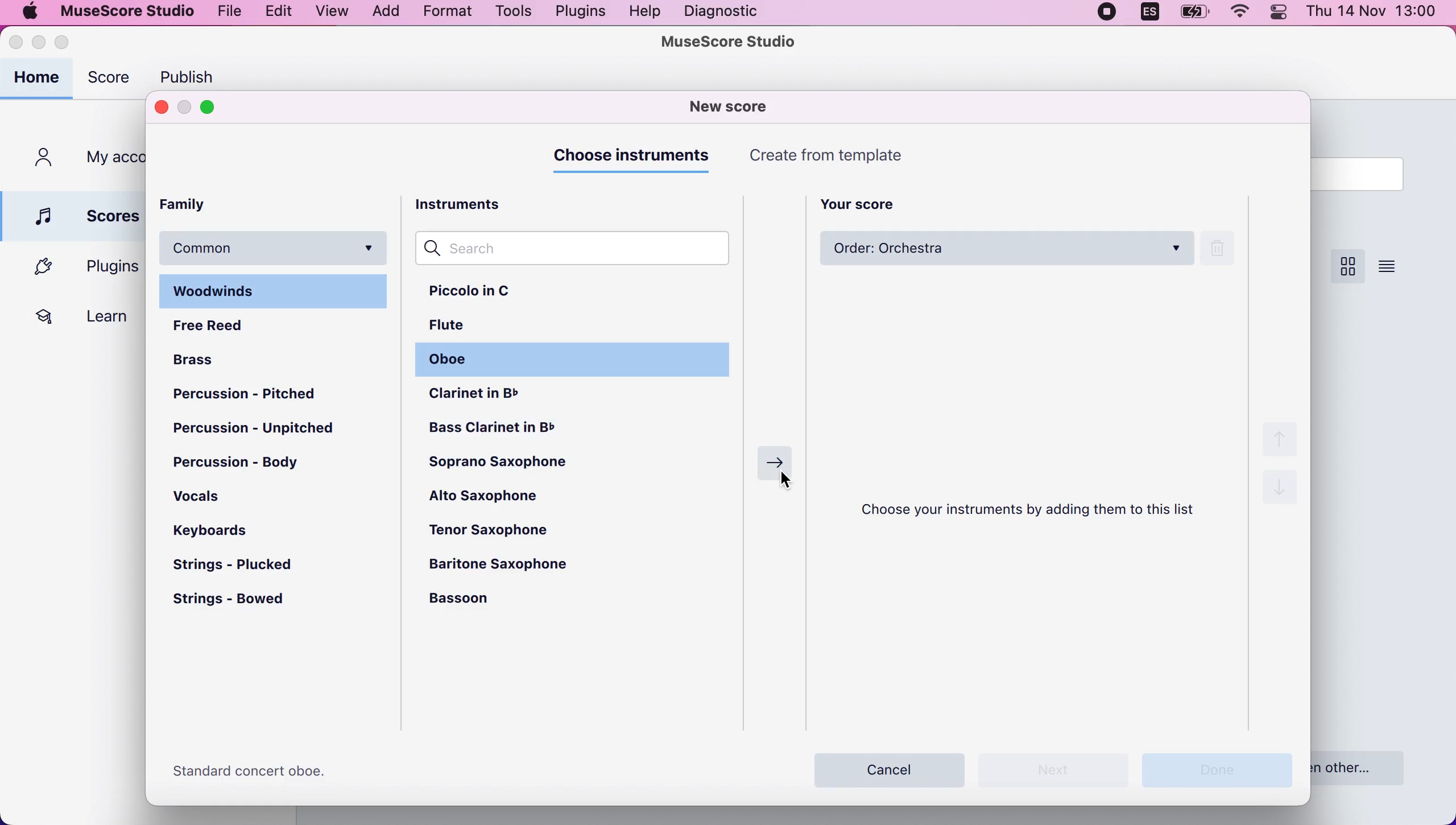  What do you see at coordinates (646, 13) in the screenshot?
I see `help` at bounding box center [646, 13].